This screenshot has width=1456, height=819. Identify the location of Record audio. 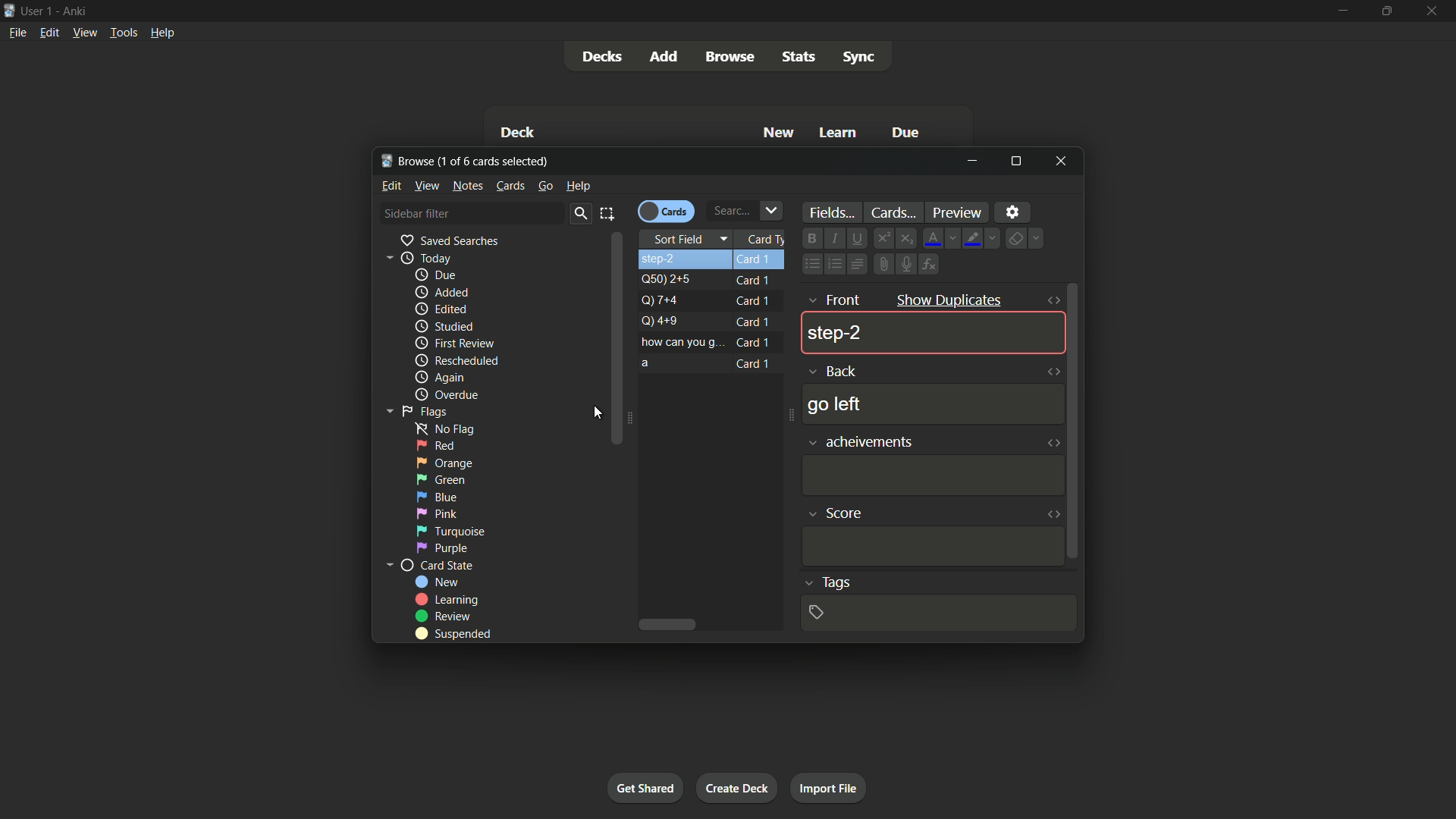
(905, 264).